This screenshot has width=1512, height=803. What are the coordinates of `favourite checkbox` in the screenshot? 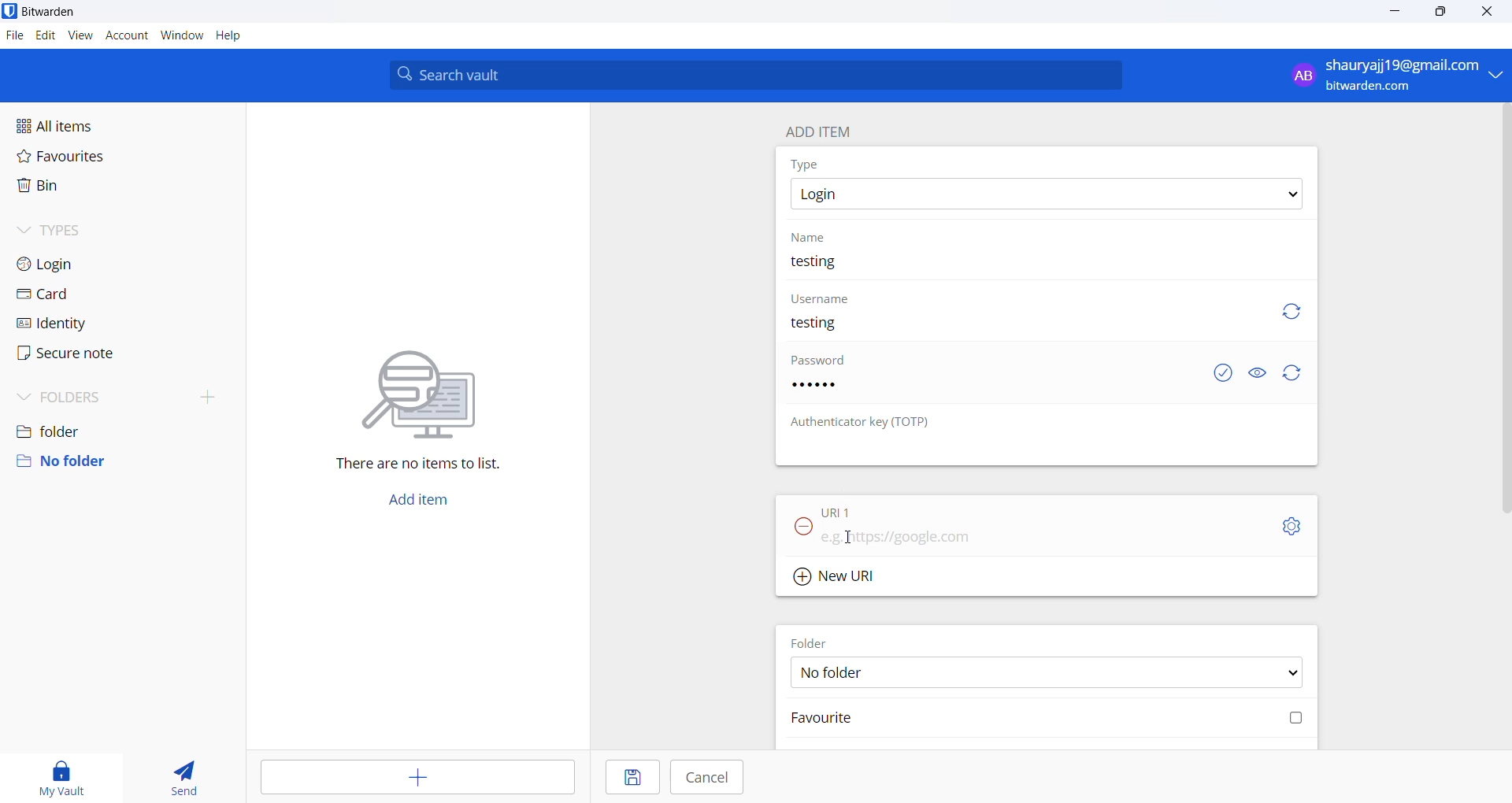 It's located at (1050, 718).